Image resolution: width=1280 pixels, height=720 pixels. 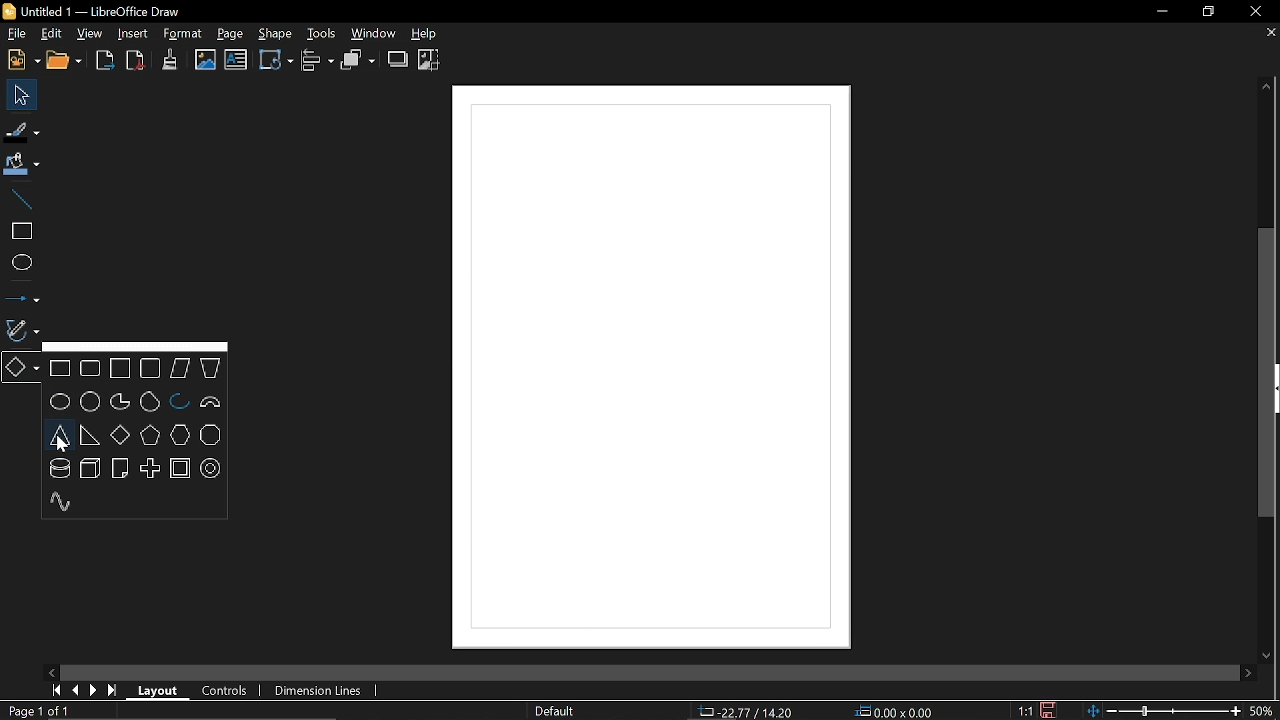 What do you see at coordinates (113, 691) in the screenshot?
I see `Last Page` at bounding box center [113, 691].